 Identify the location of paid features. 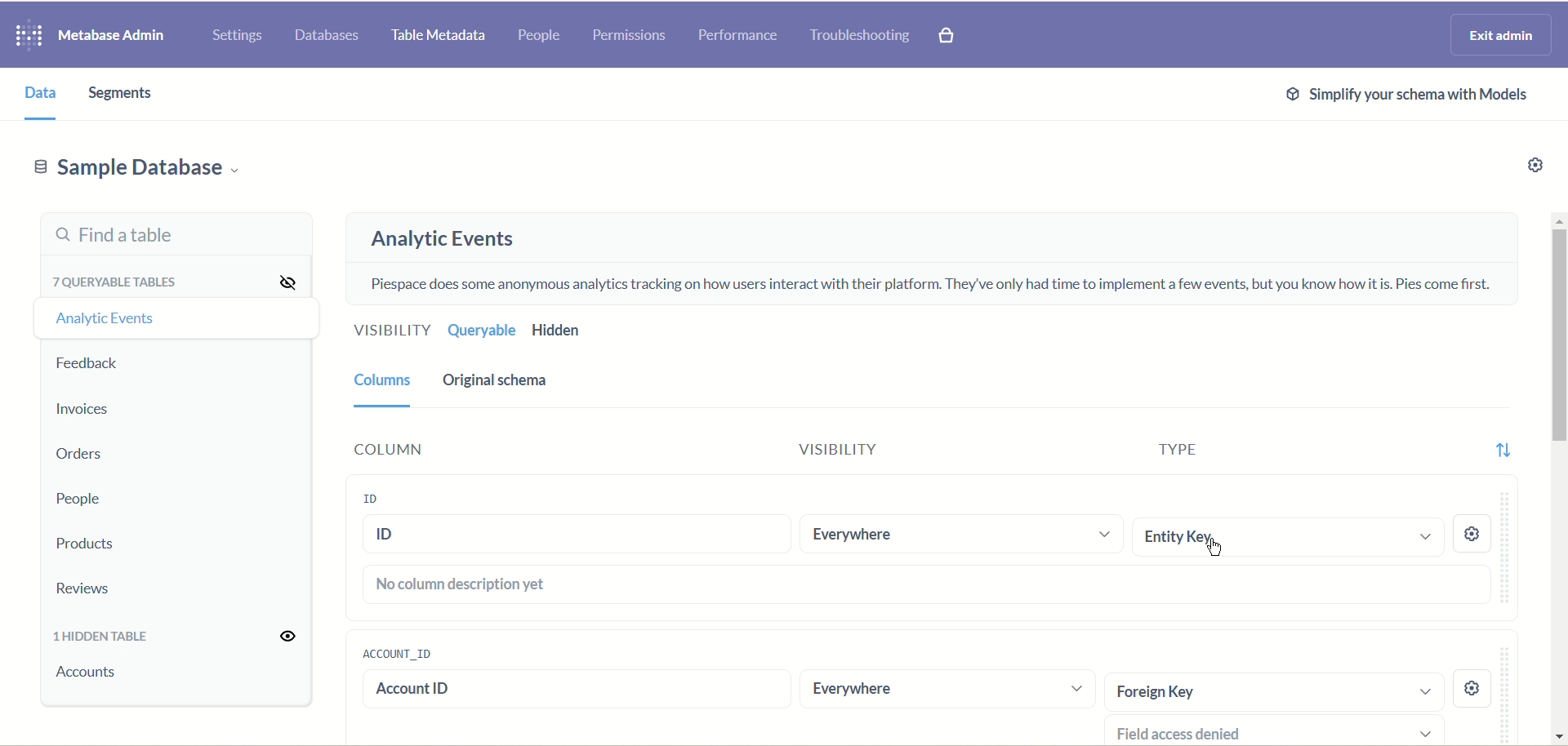
(948, 37).